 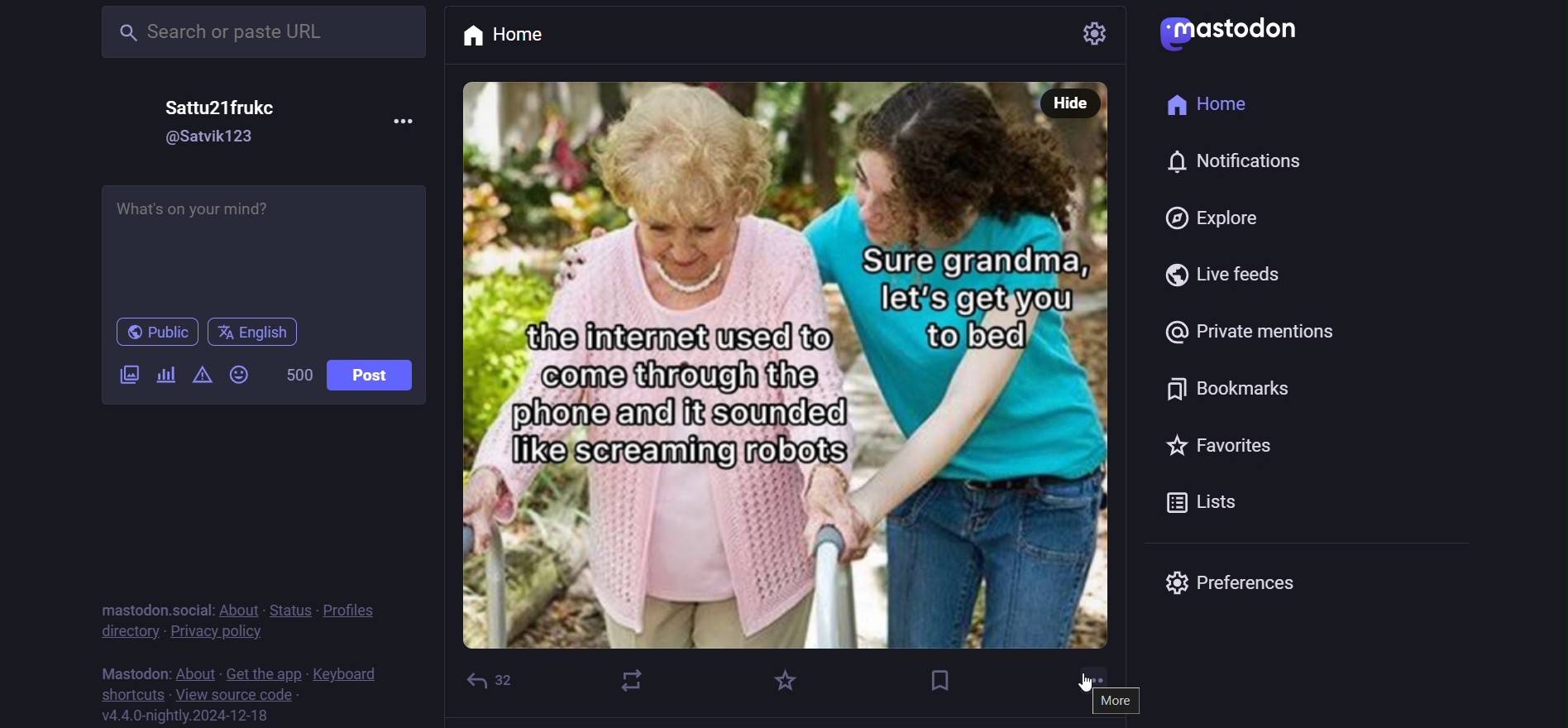 What do you see at coordinates (188, 717) in the screenshot?
I see `version` at bounding box center [188, 717].